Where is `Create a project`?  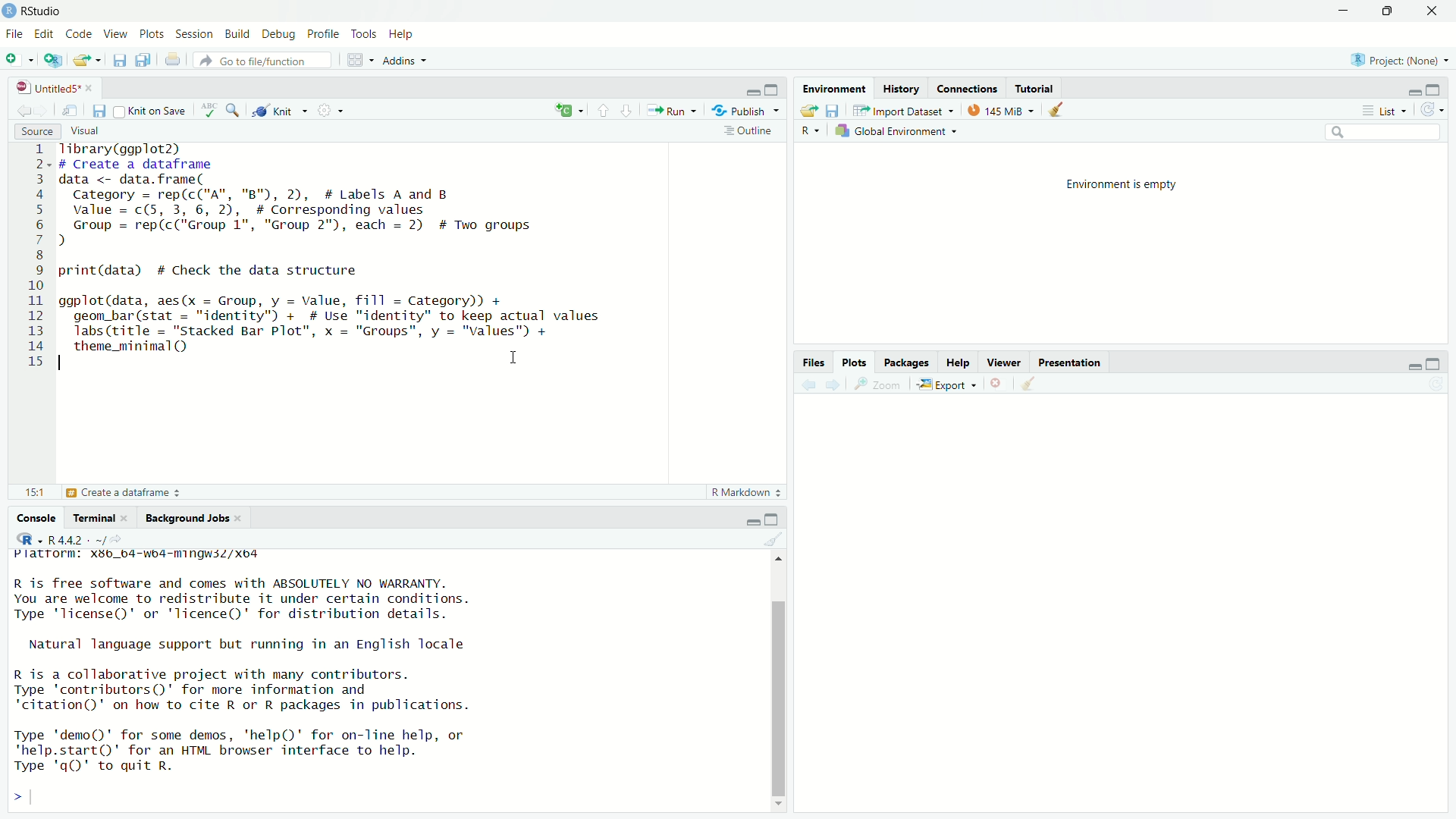 Create a project is located at coordinates (53, 60).